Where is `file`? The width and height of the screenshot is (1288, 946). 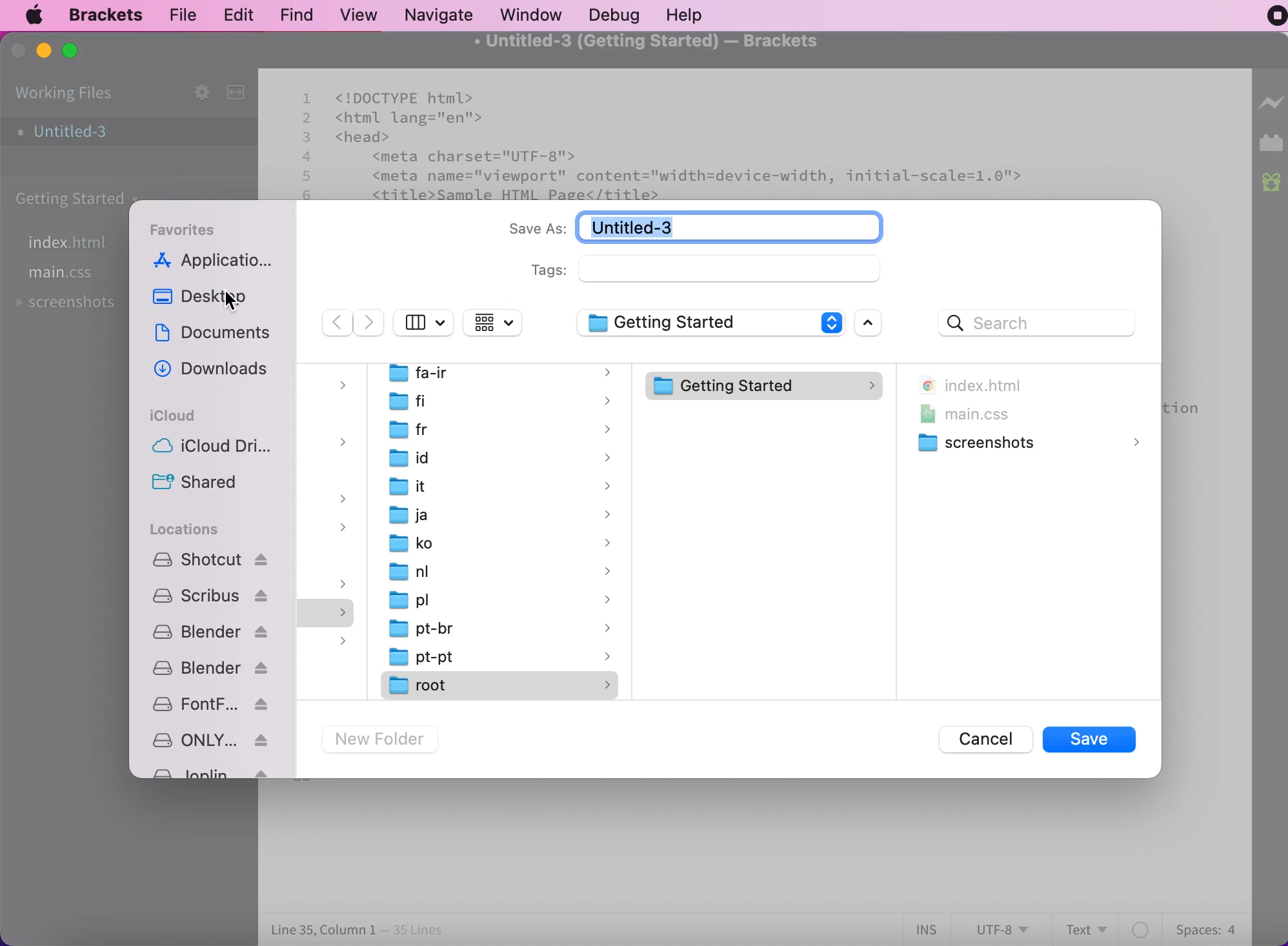
file is located at coordinates (183, 15).